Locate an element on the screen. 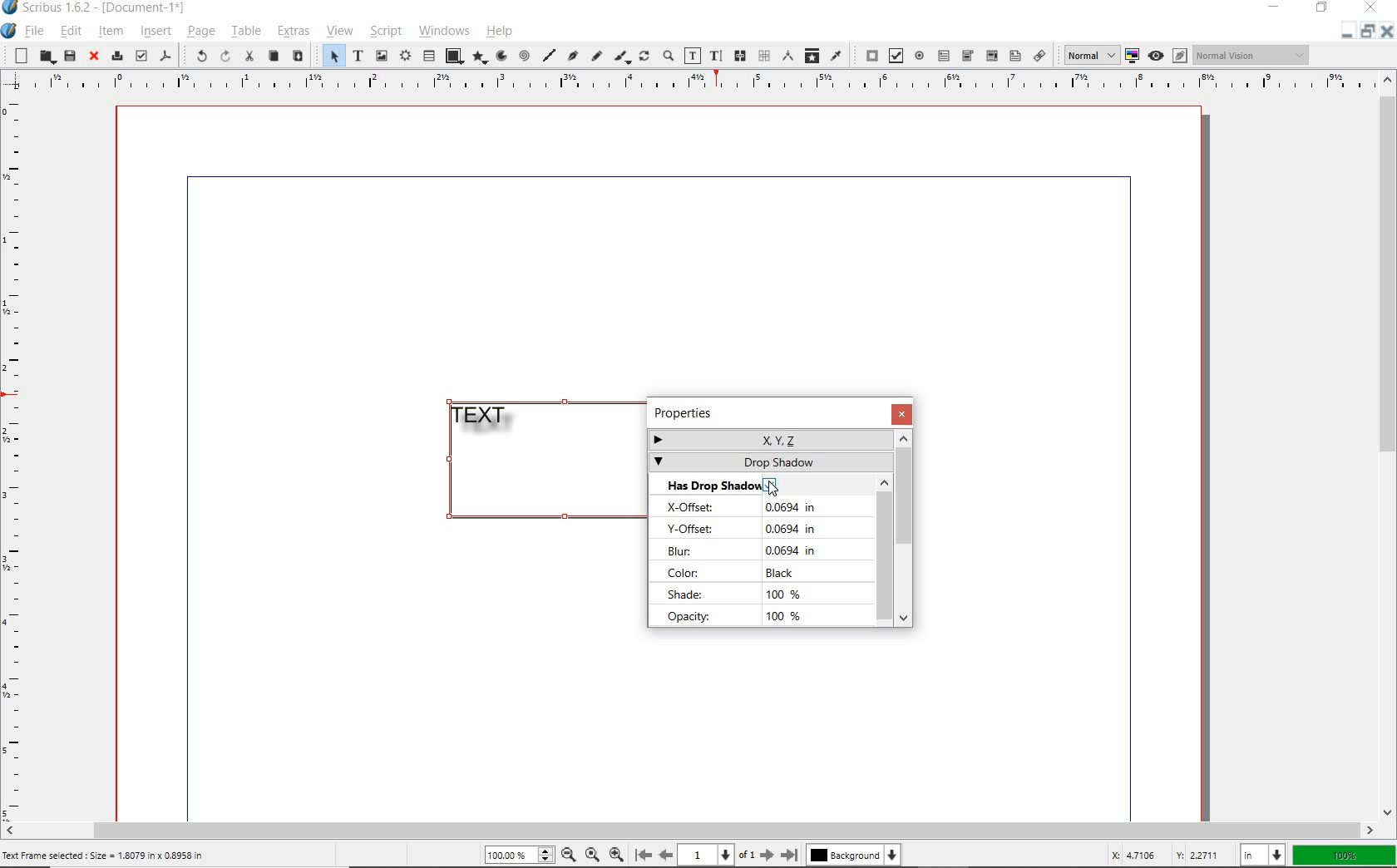 The height and width of the screenshot is (868, 1397). item is located at coordinates (112, 33).